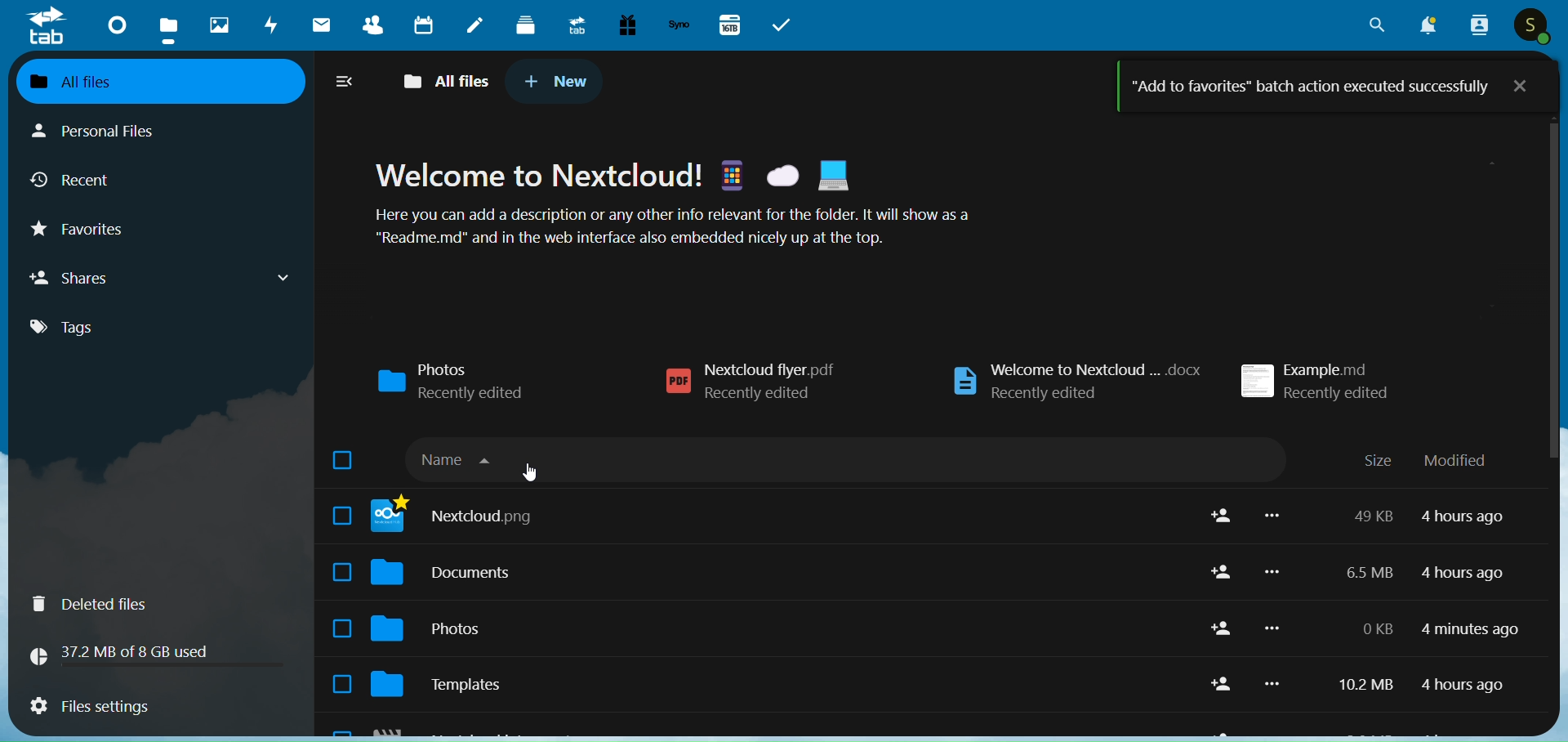  What do you see at coordinates (215, 26) in the screenshot?
I see `picture` at bounding box center [215, 26].